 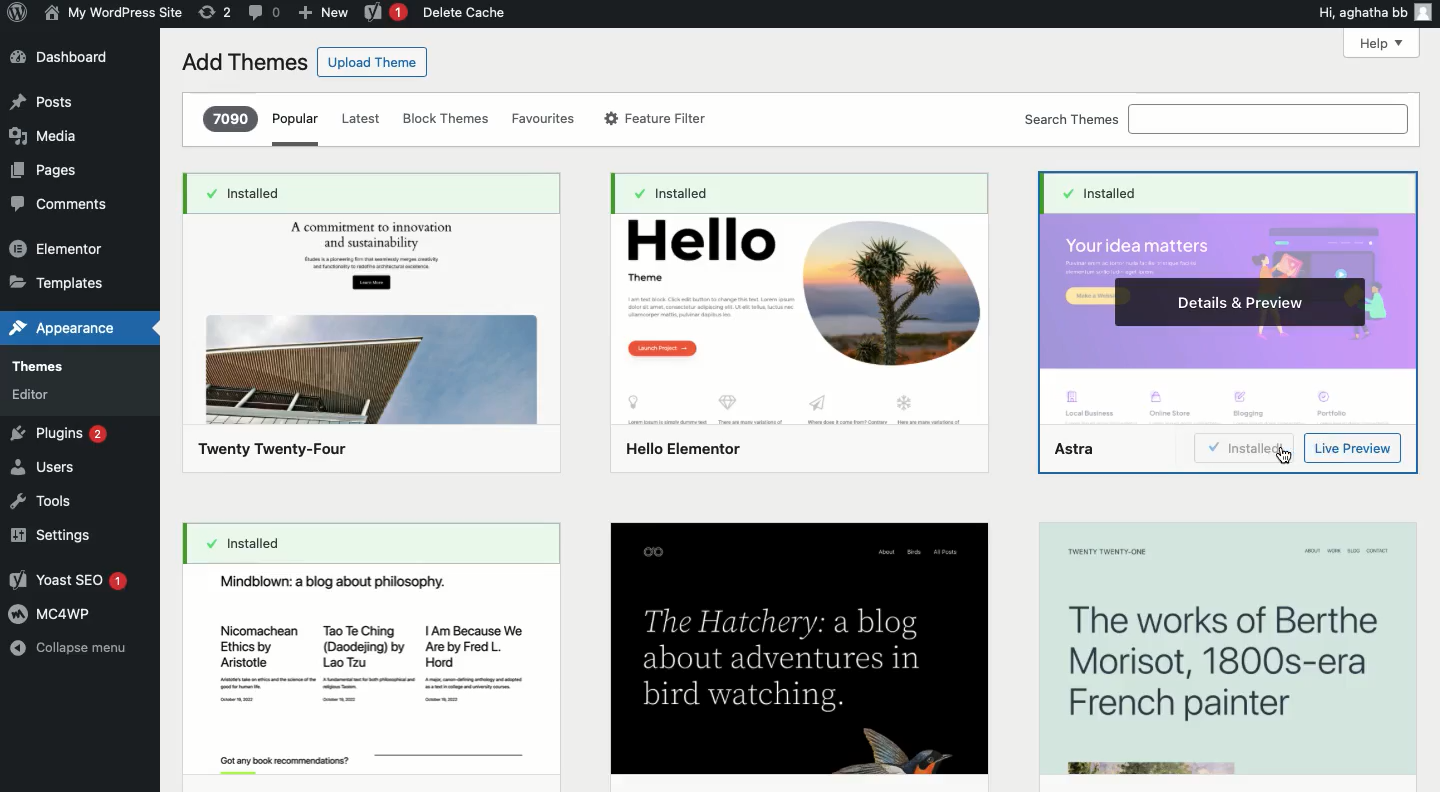 I want to click on Yoast, so click(x=66, y=580).